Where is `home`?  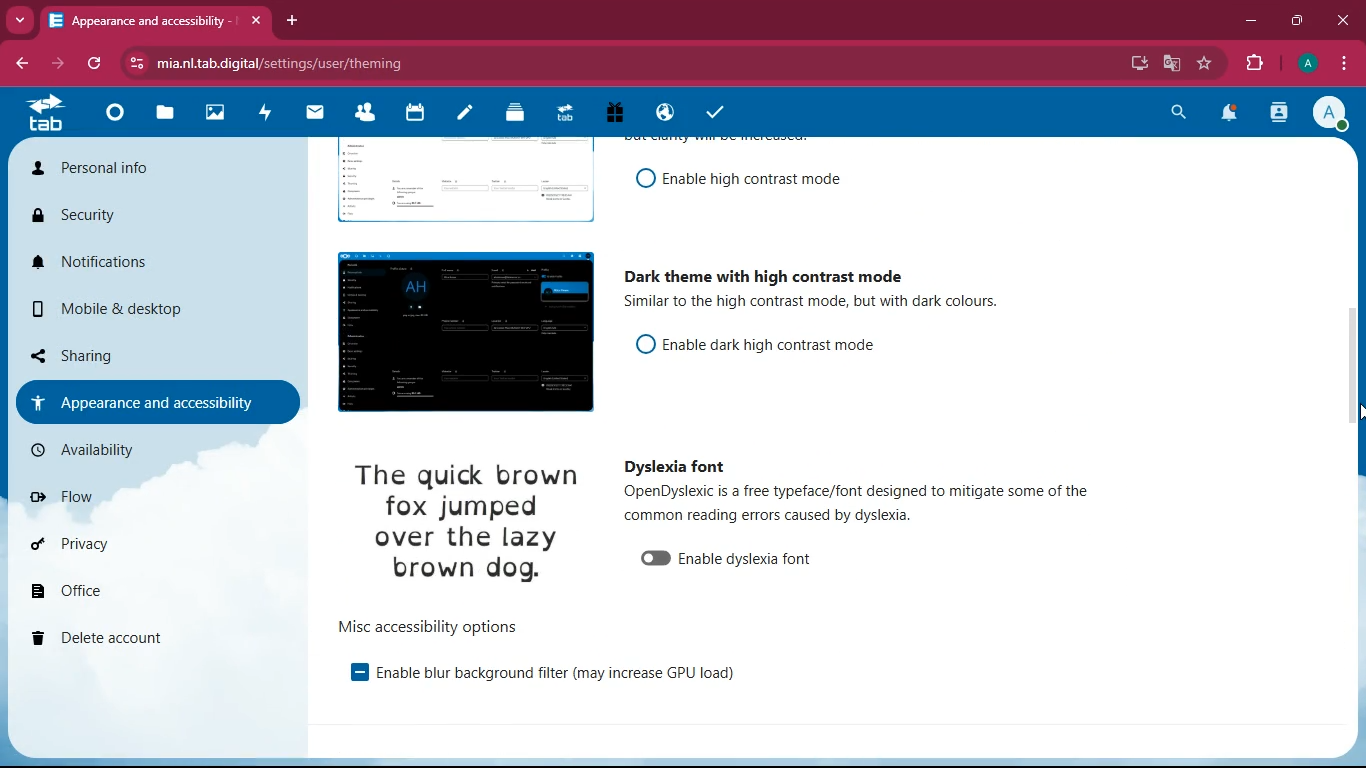
home is located at coordinates (120, 117).